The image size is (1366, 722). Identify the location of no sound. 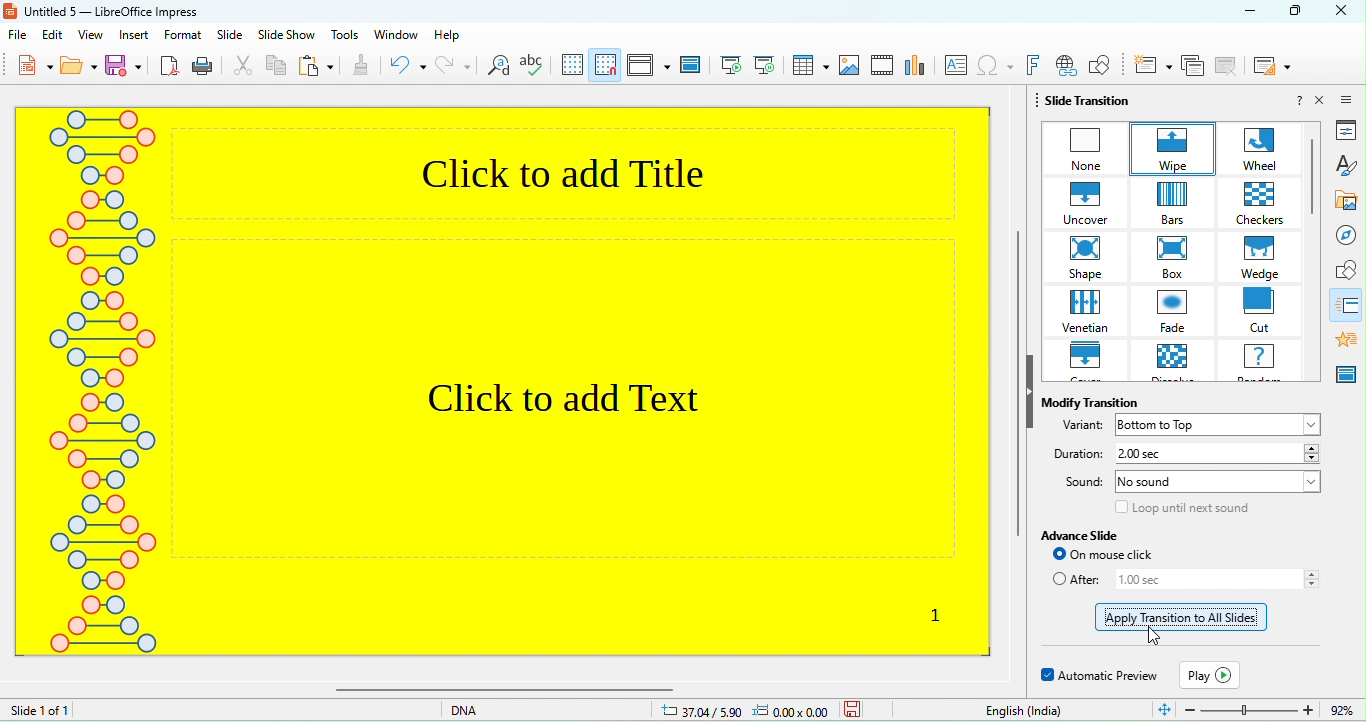
(1218, 485).